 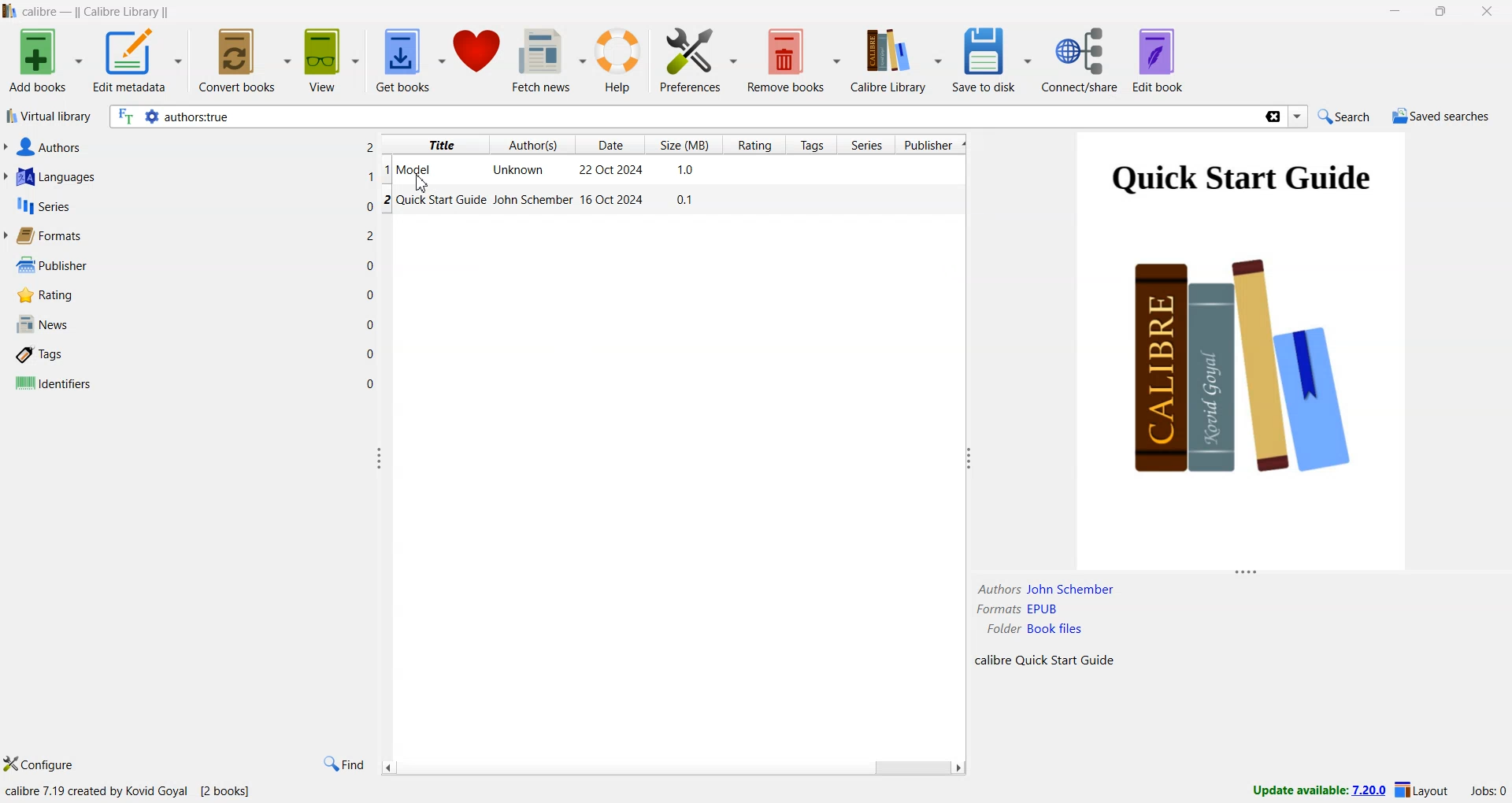 What do you see at coordinates (932, 146) in the screenshot?
I see `publisher` at bounding box center [932, 146].